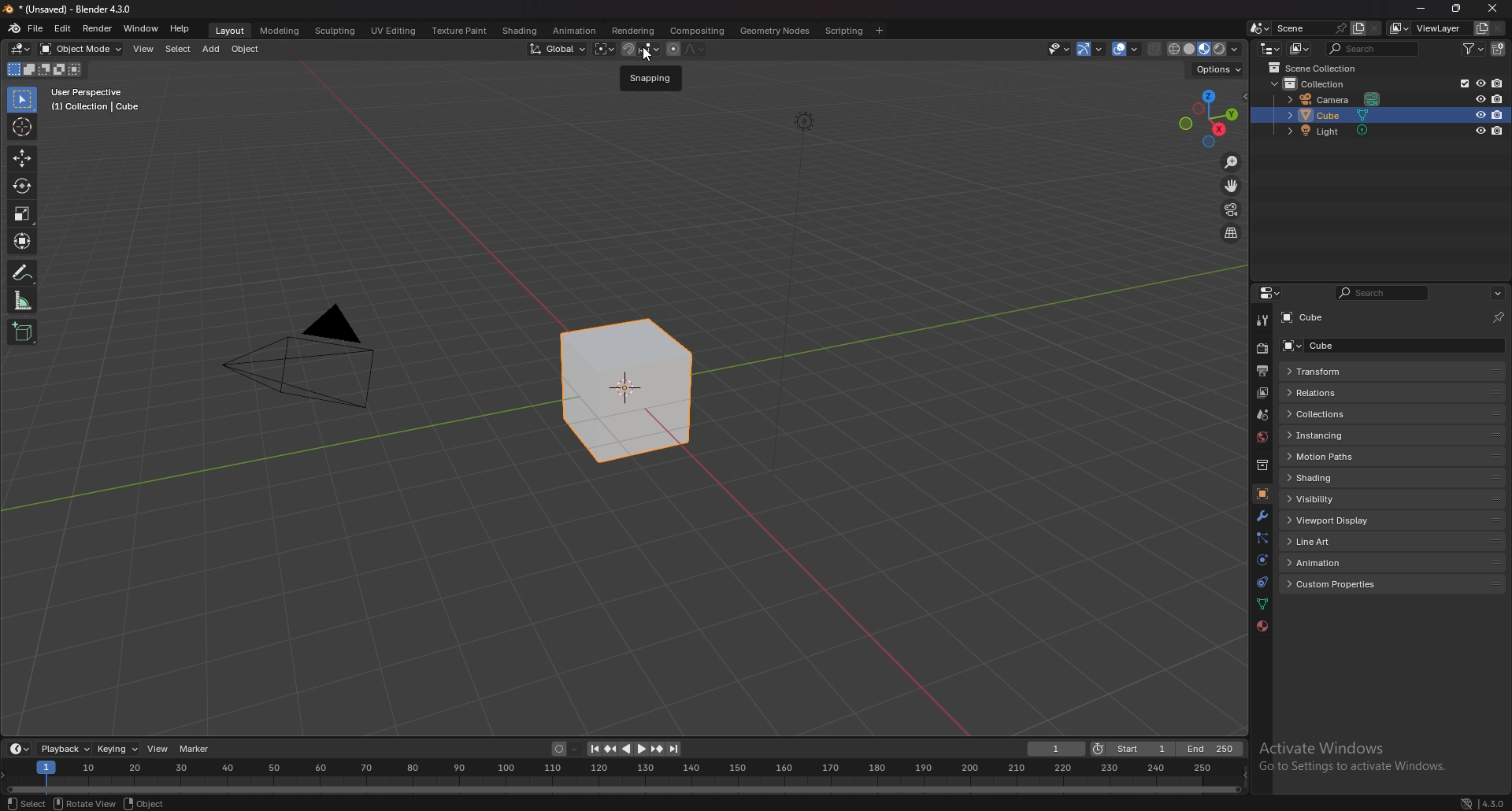  What do you see at coordinates (1092, 49) in the screenshot?
I see `gizmo` at bounding box center [1092, 49].